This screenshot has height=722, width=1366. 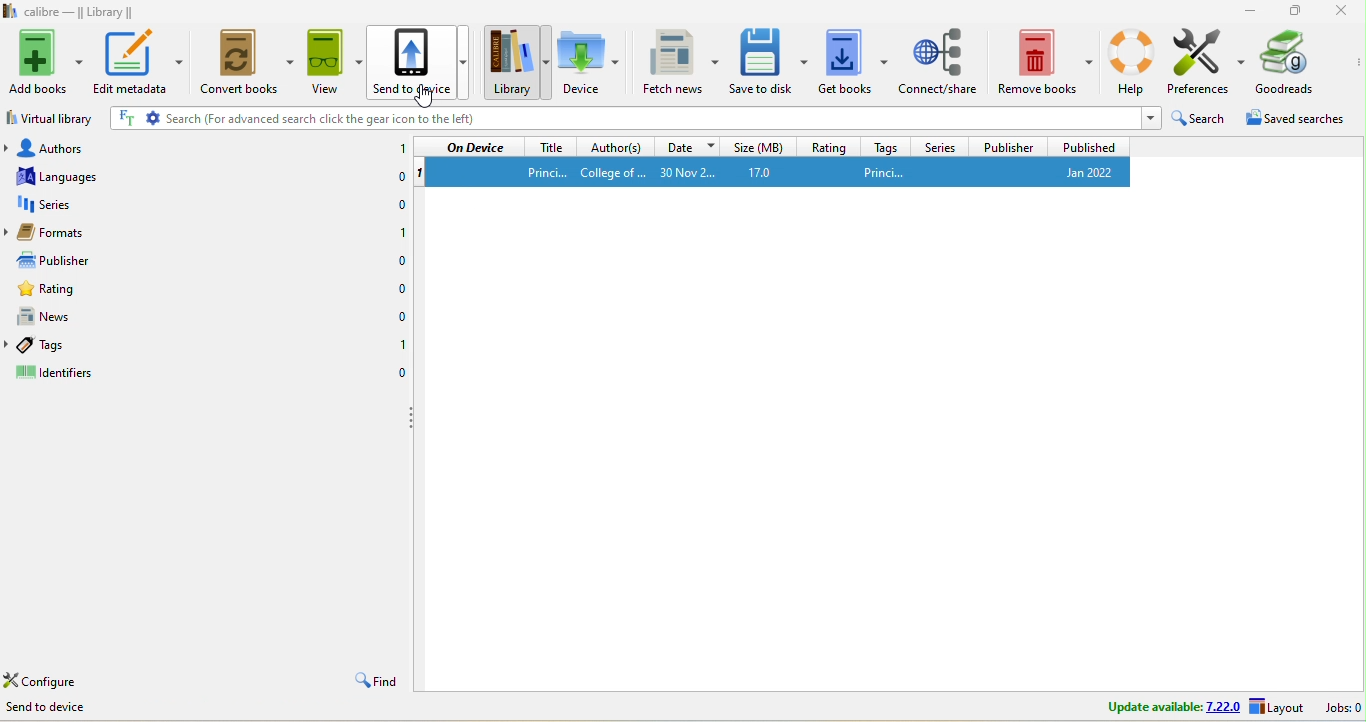 I want to click on 0, so click(x=396, y=289).